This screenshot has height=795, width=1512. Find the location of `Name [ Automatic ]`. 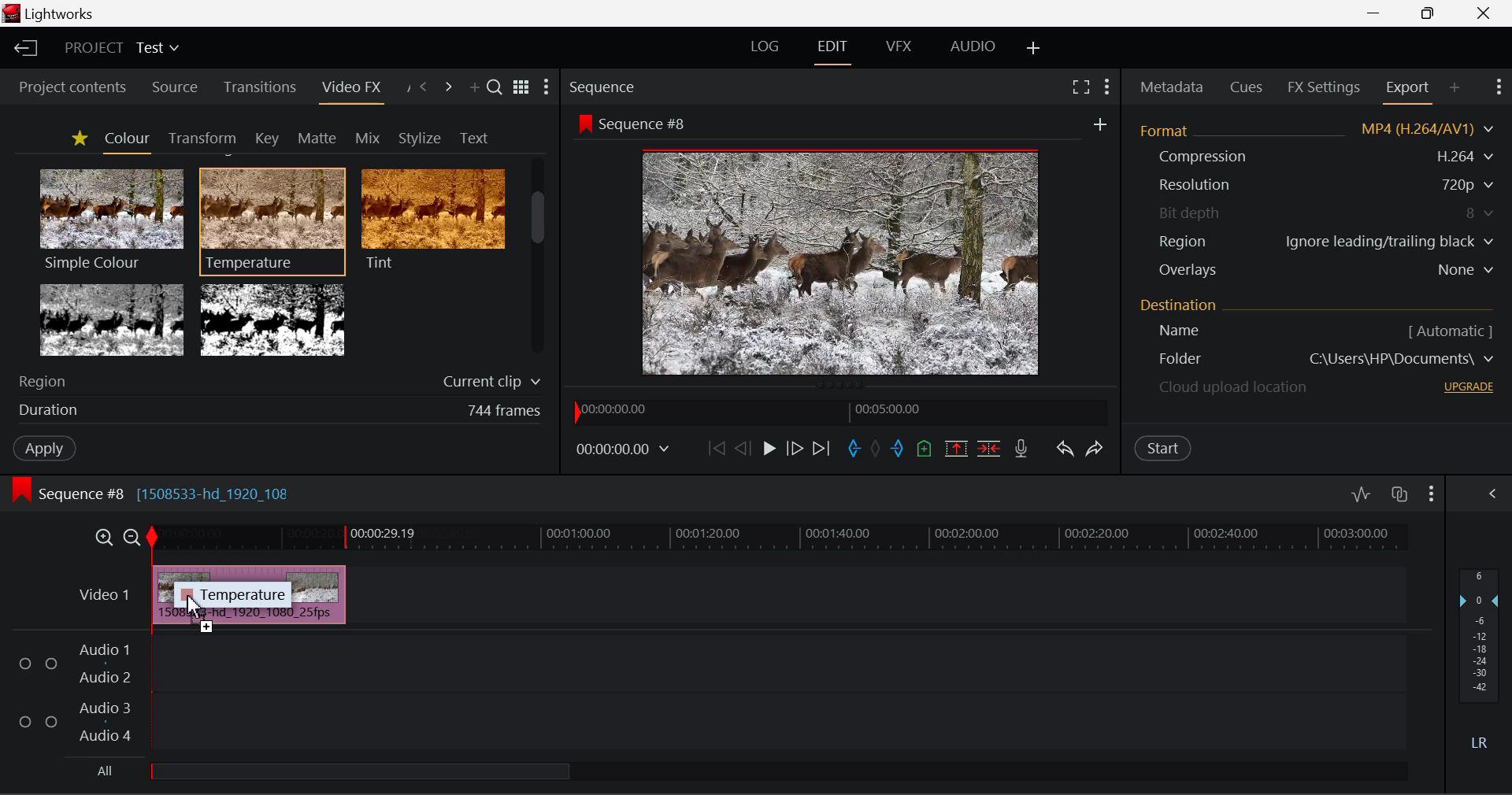

Name [ Automatic ] is located at coordinates (1173, 331).